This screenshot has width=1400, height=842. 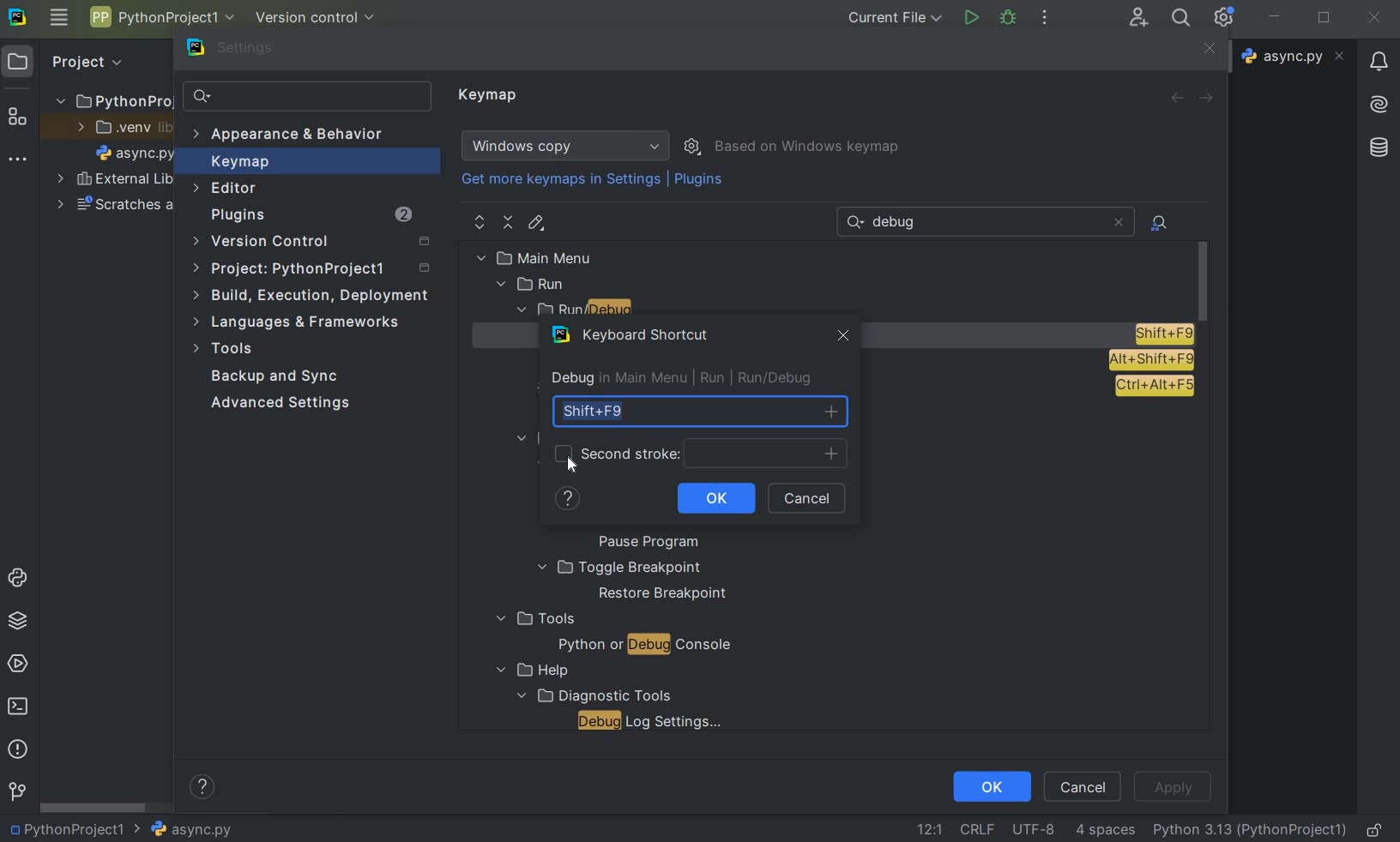 What do you see at coordinates (568, 146) in the screenshot?
I see `windows copy` at bounding box center [568, 146].